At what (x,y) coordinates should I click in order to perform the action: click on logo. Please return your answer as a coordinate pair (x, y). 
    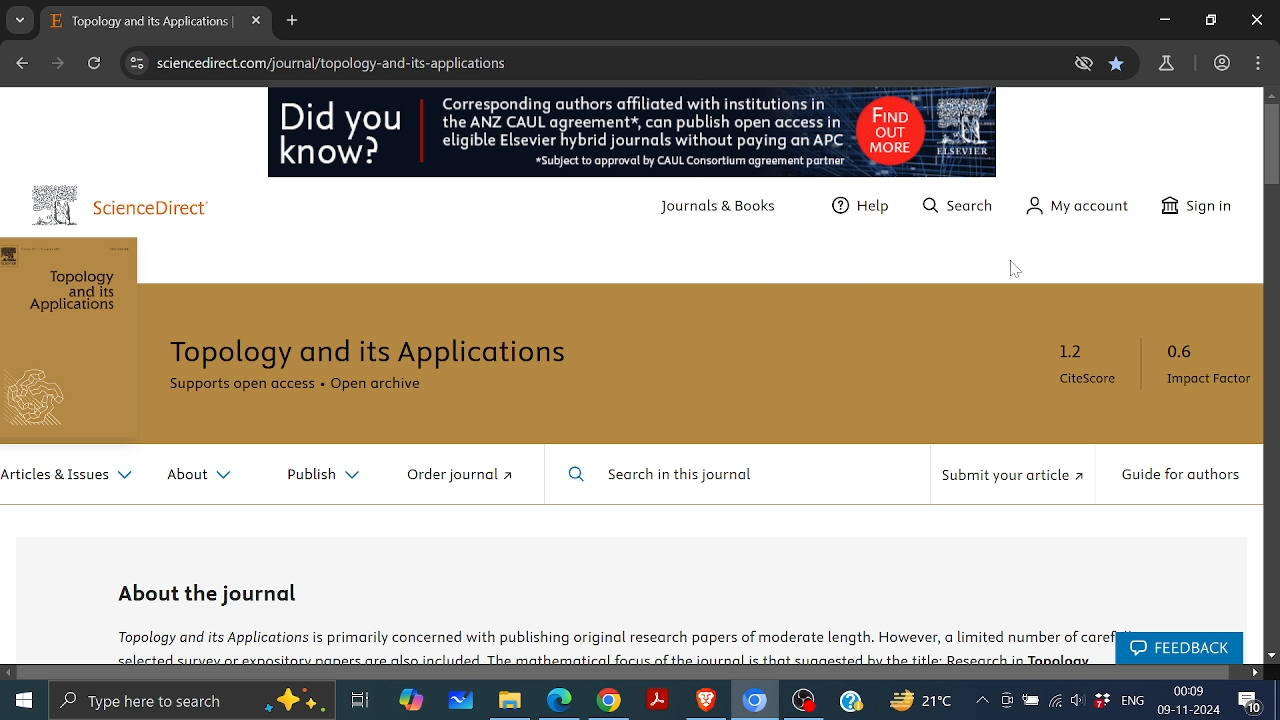
    Looking at the image, I should click on (55, 204).